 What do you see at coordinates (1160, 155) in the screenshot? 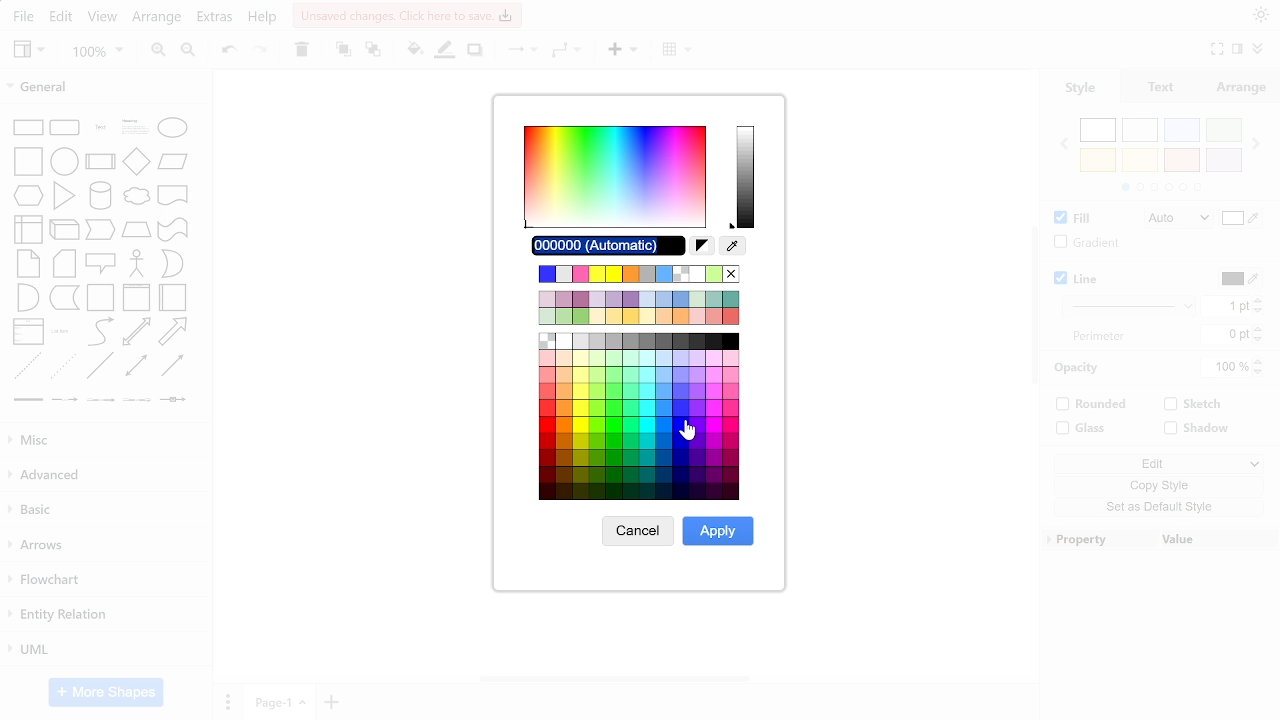
I see `colors` at bounding box center [1160, 155].